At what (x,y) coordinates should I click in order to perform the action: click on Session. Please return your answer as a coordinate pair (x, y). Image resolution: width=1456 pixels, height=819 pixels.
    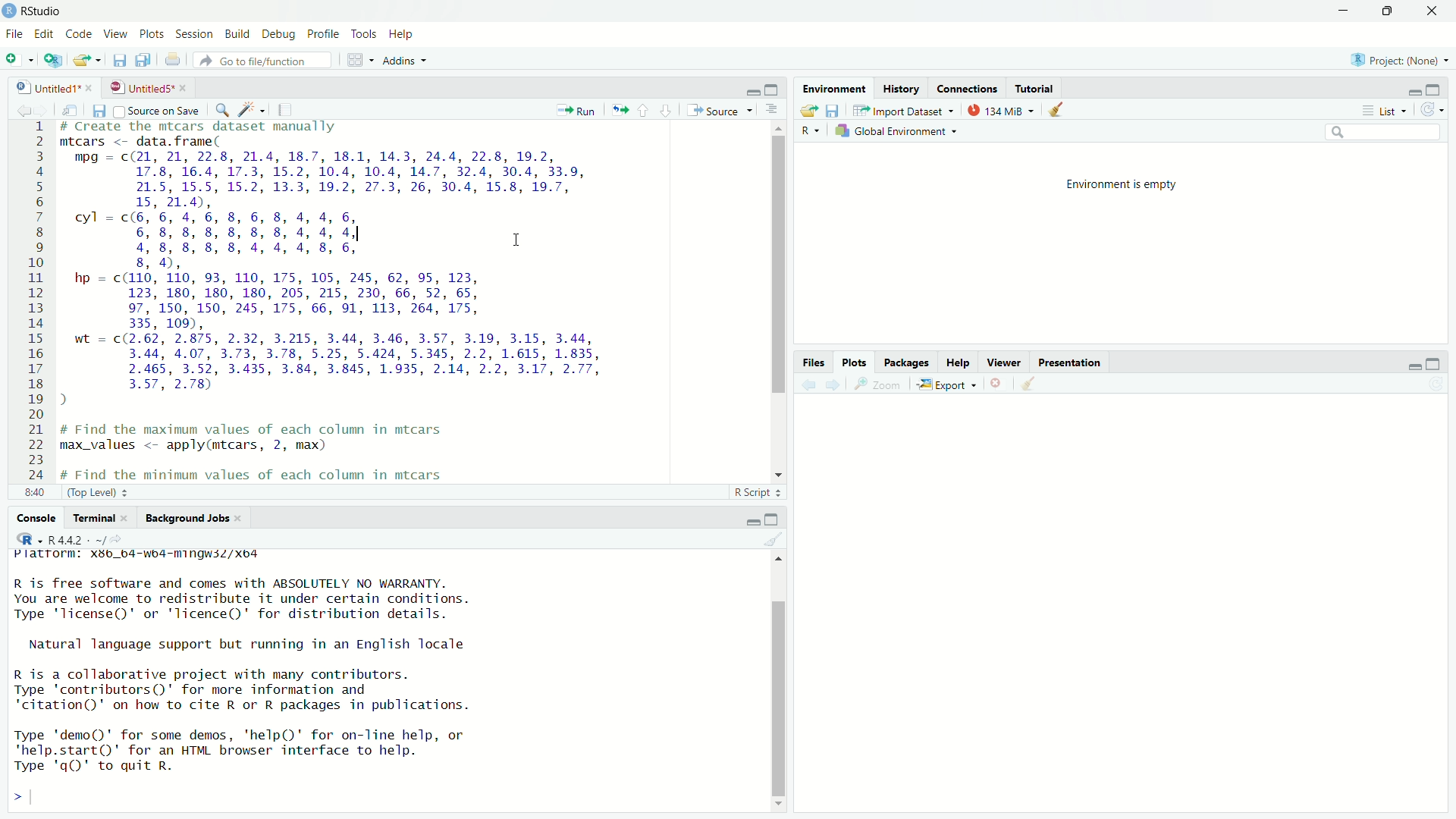
    Looking at the image, I should click on (195, 33).